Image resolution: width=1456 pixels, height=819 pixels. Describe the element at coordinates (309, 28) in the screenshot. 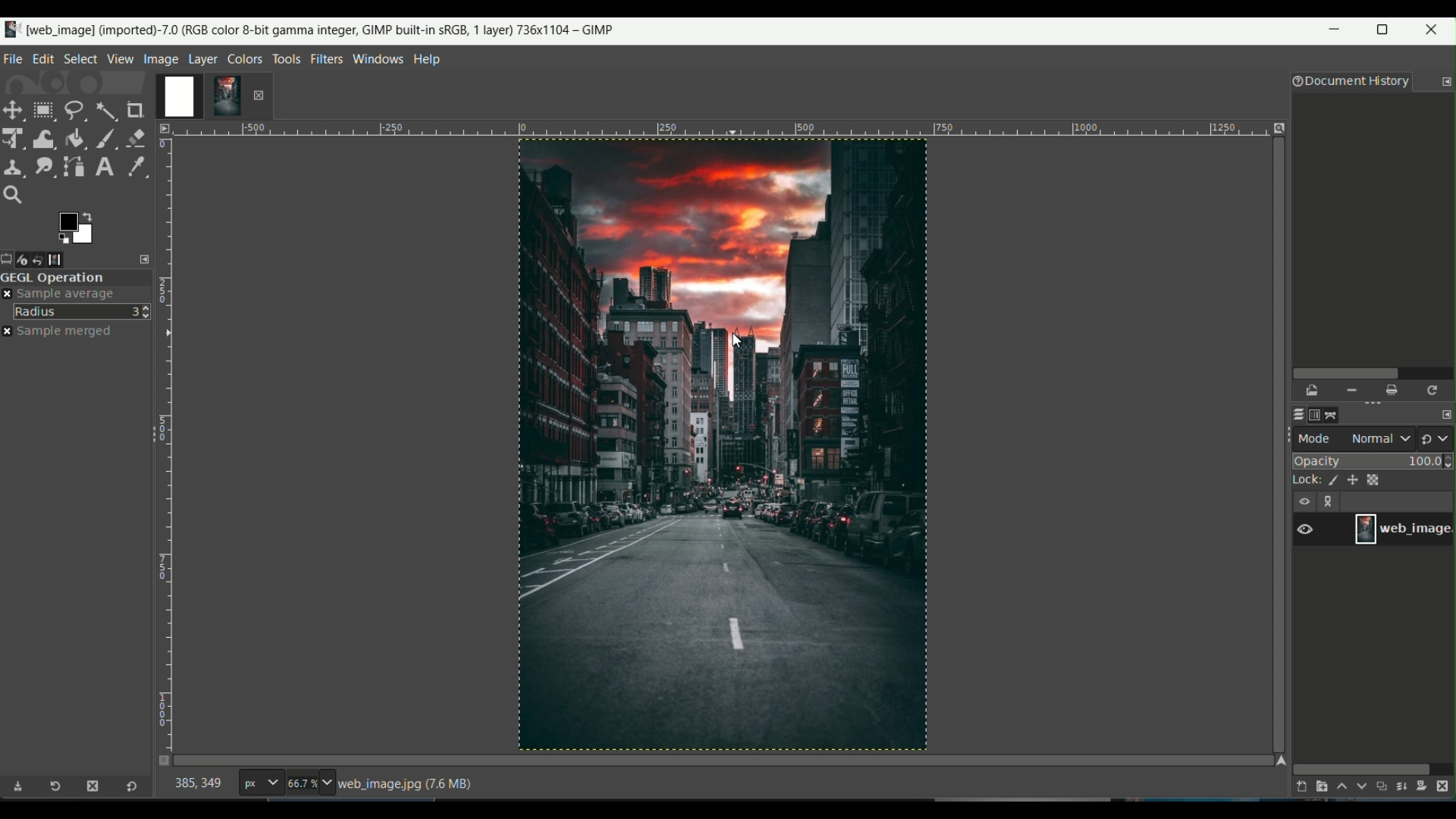

I see `app name` at that location.